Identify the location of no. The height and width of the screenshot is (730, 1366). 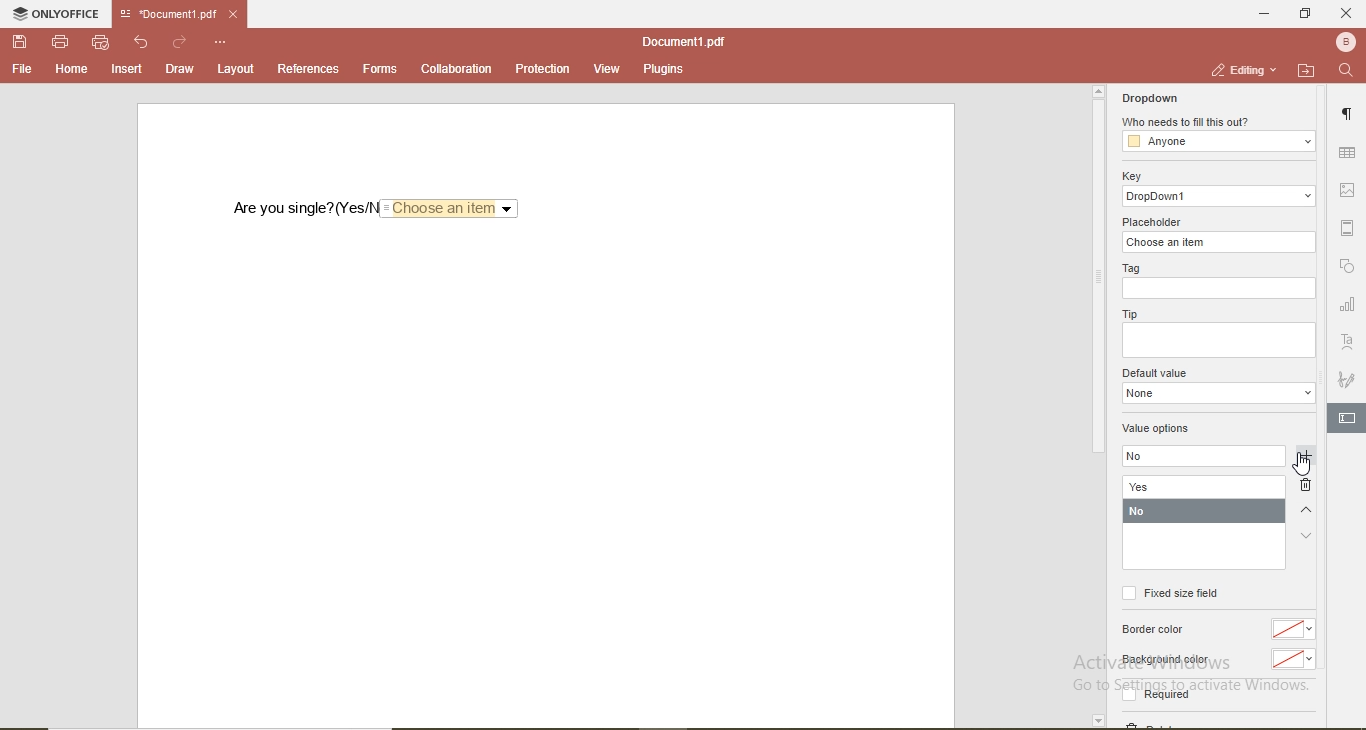
(1141, 458).